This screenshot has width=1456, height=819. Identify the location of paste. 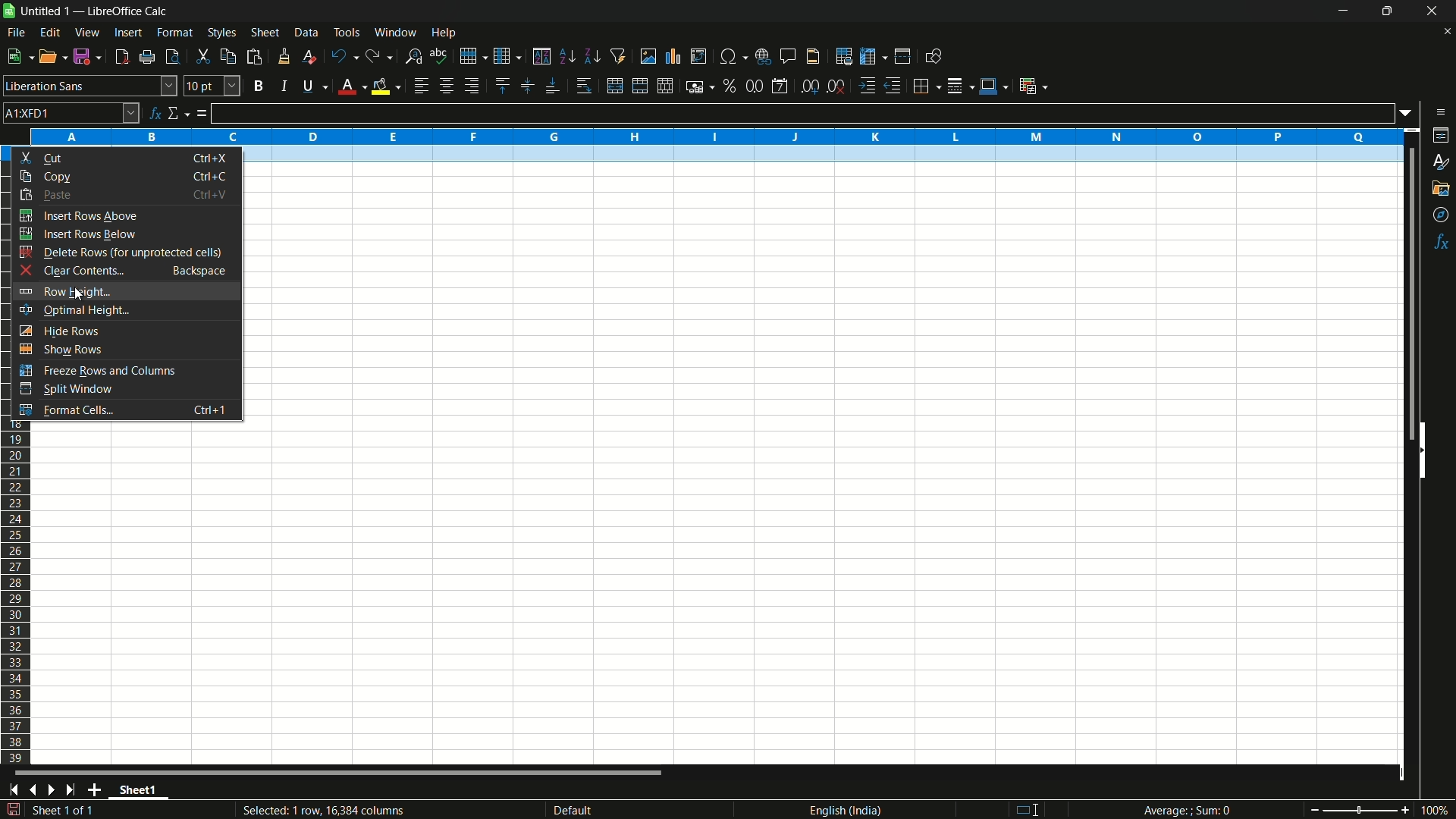
(254, 57).